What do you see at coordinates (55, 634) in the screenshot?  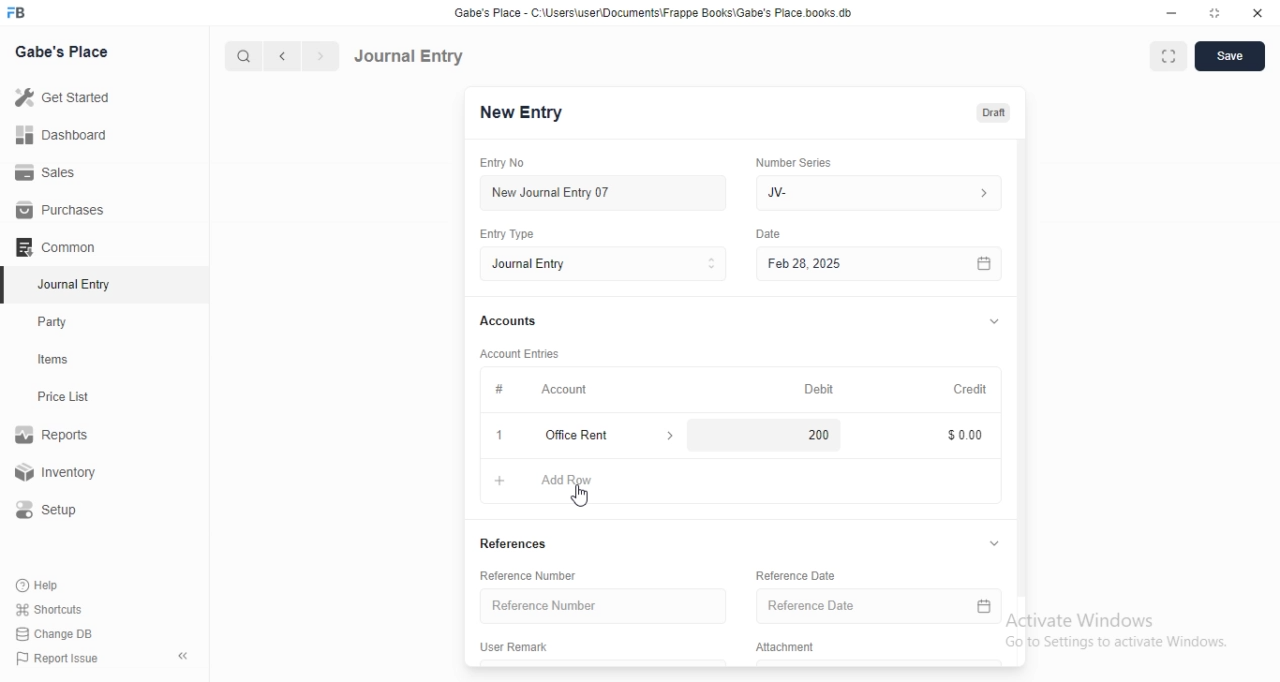 I see `‘Change DB` at bounding box center [55, 634].